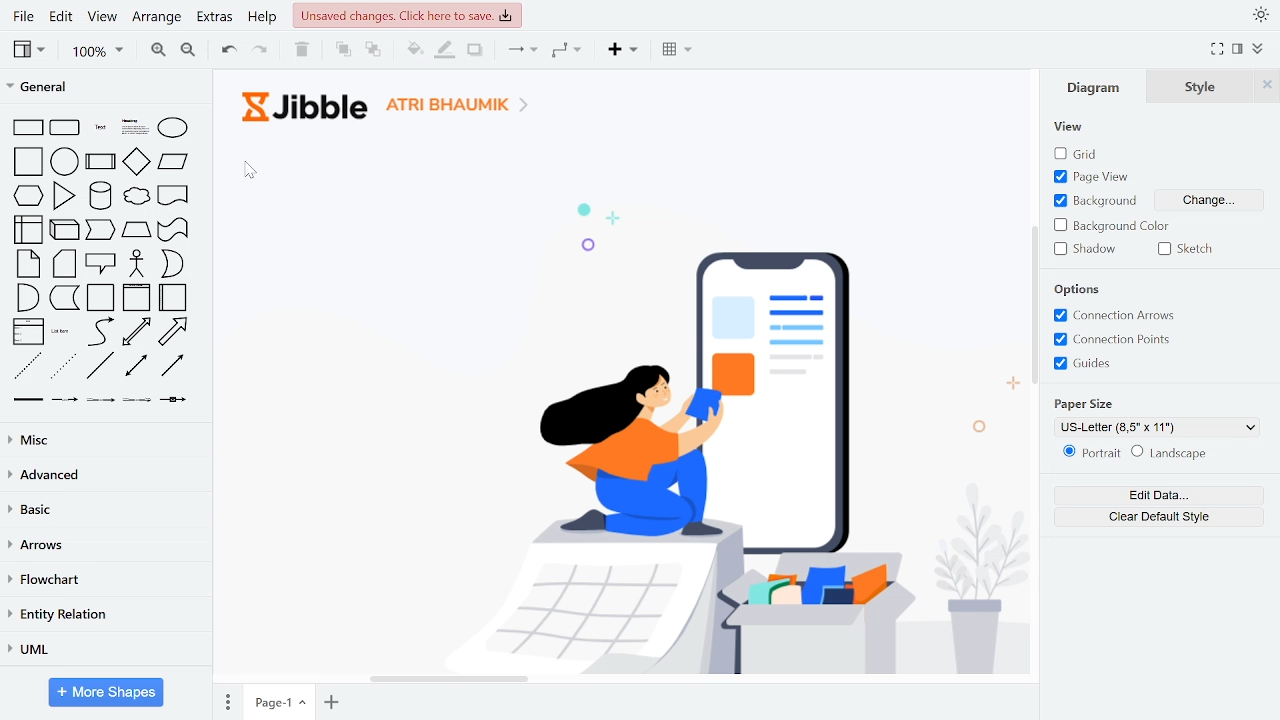  What do you see at coordinates (172, 194) in the screenshot?
I see `general shapes` at bounding box center [172, 194].